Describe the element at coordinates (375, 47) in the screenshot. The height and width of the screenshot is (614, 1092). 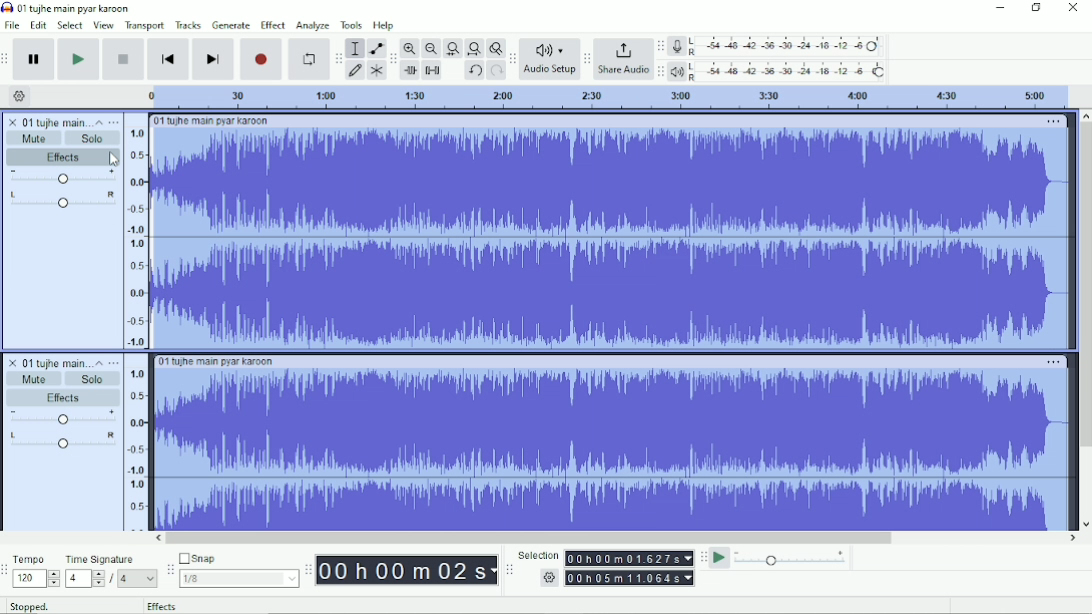
I see `Envelope tool` at that location.